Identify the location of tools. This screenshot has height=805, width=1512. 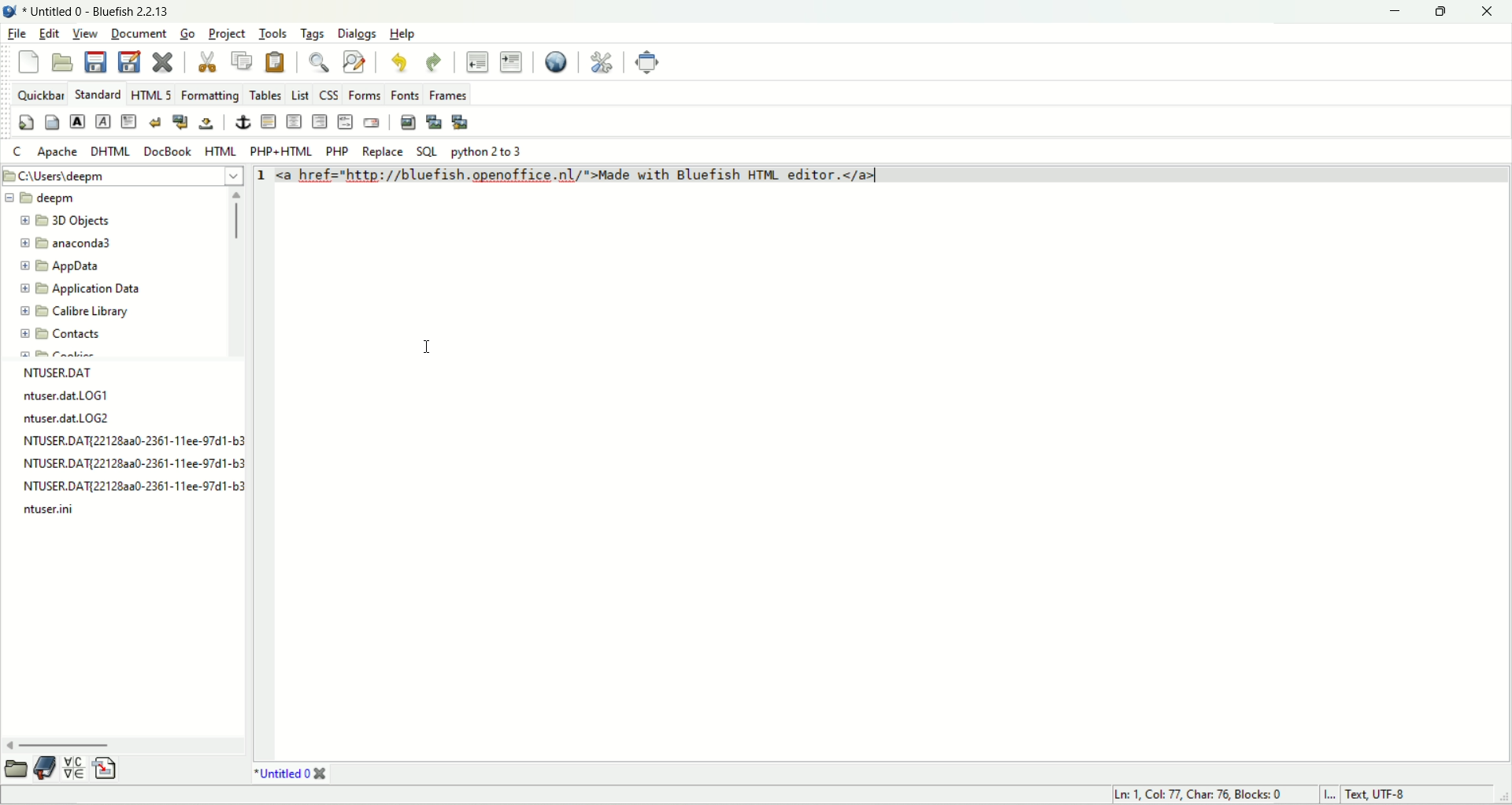
(273, 31).